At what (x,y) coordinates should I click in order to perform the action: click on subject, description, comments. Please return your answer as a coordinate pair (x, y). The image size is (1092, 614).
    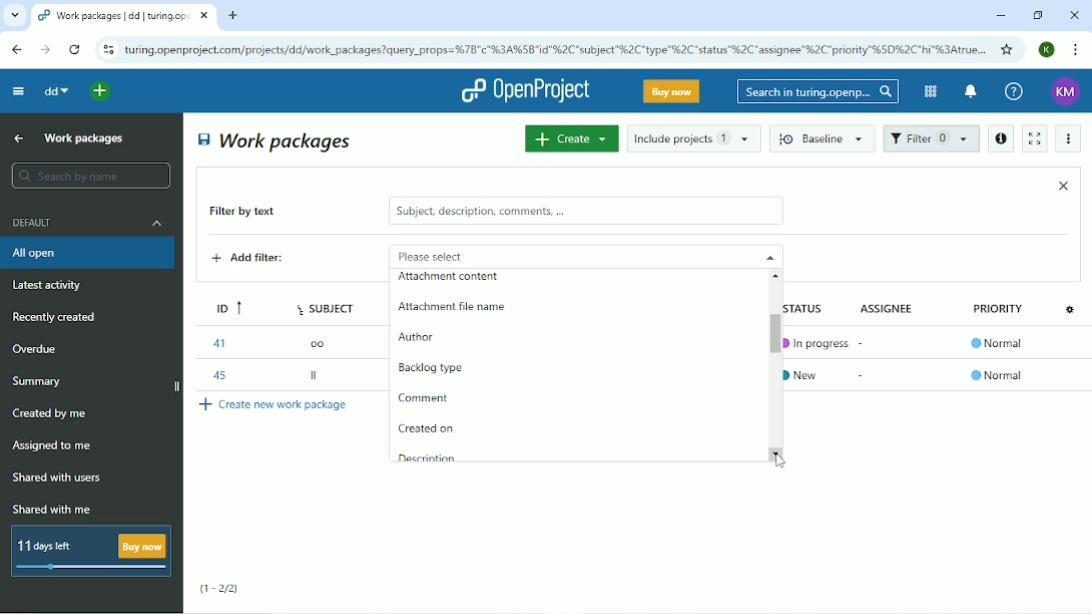
    Looking at the image, I should click on (585, 211).